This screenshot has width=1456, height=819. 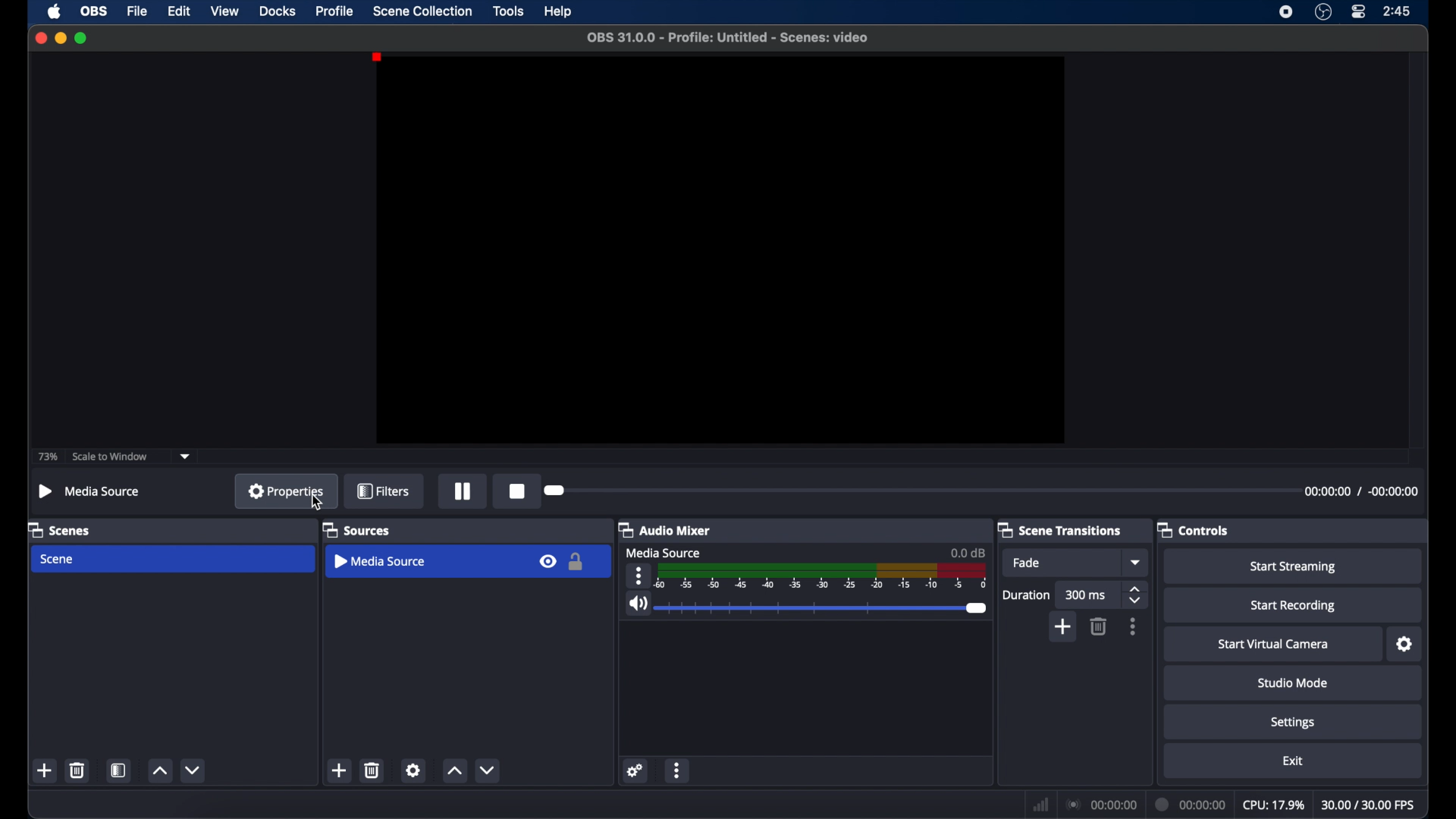 I want to click on media source, so click(x=88, y=491).